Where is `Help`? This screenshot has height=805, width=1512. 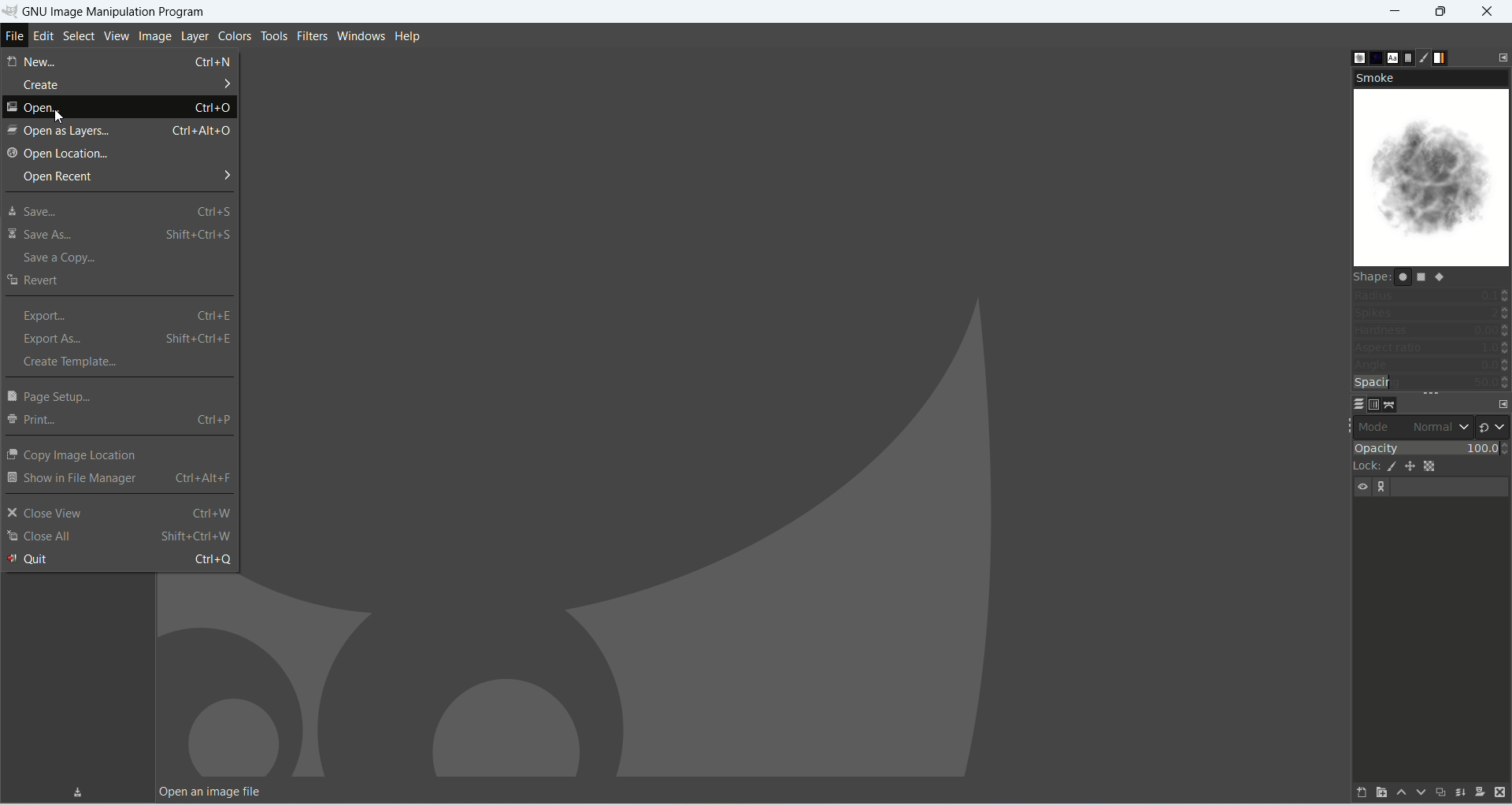 Help is located at coordinates (415, 35).